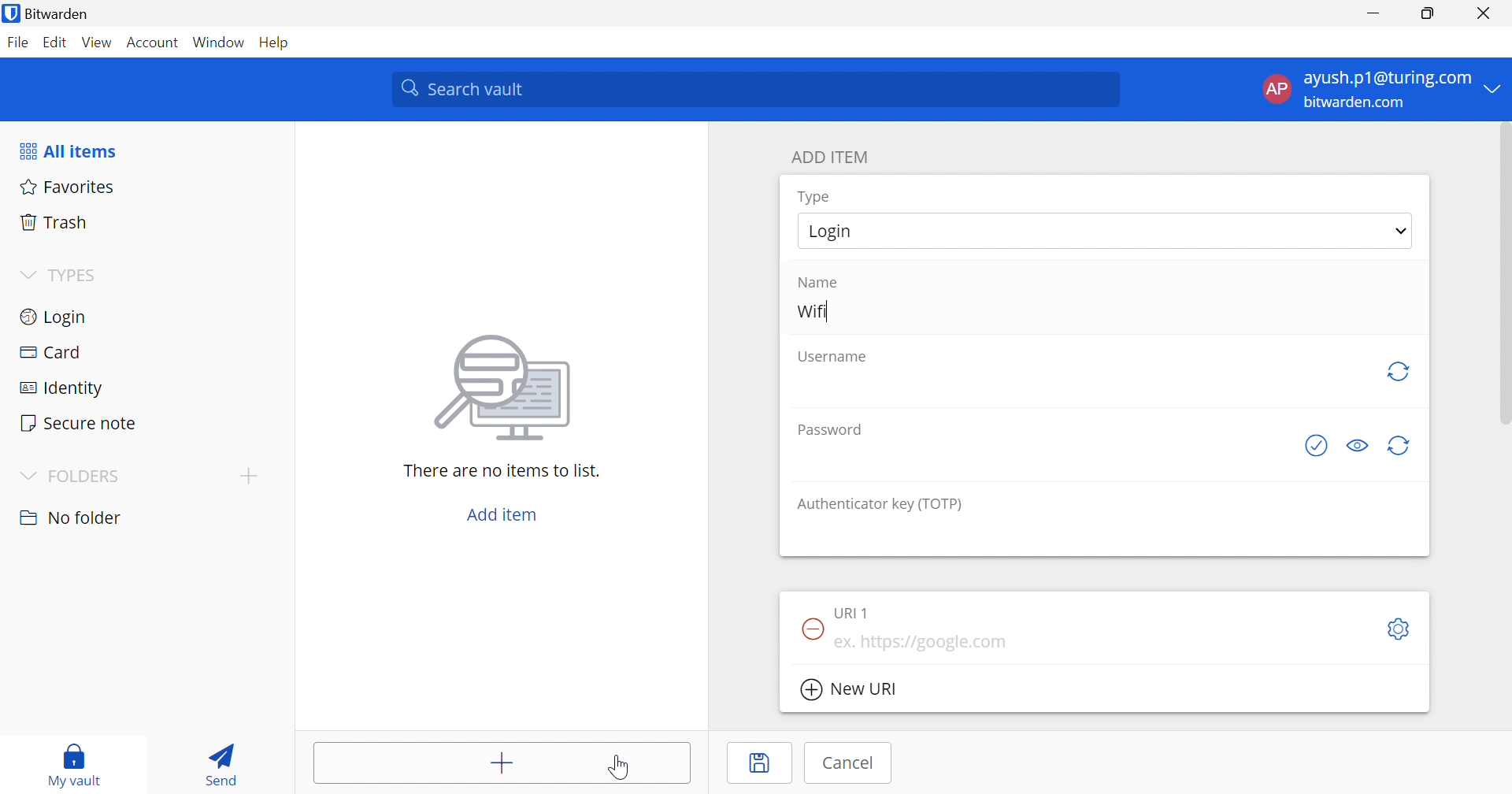 The width and height of the screenshot is (1512, 794). What do you see at coordinates (217, 761) in the screenshot?
I see `Send` at bounding box center [217, 761].